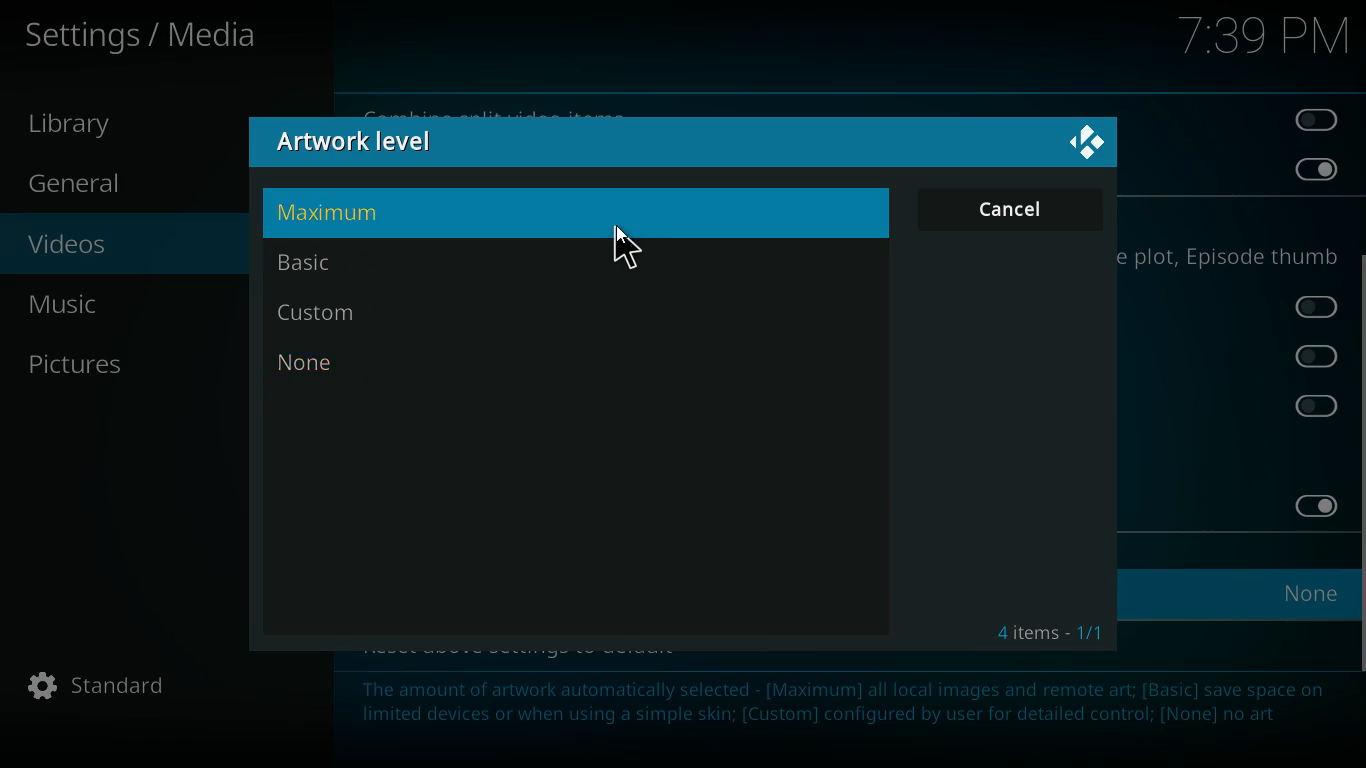 This screenshot has height=768, width=1366. What do you see at coordinates (560, 263) in the screenshot?
I see `basic` at bounding box center [560, 263].